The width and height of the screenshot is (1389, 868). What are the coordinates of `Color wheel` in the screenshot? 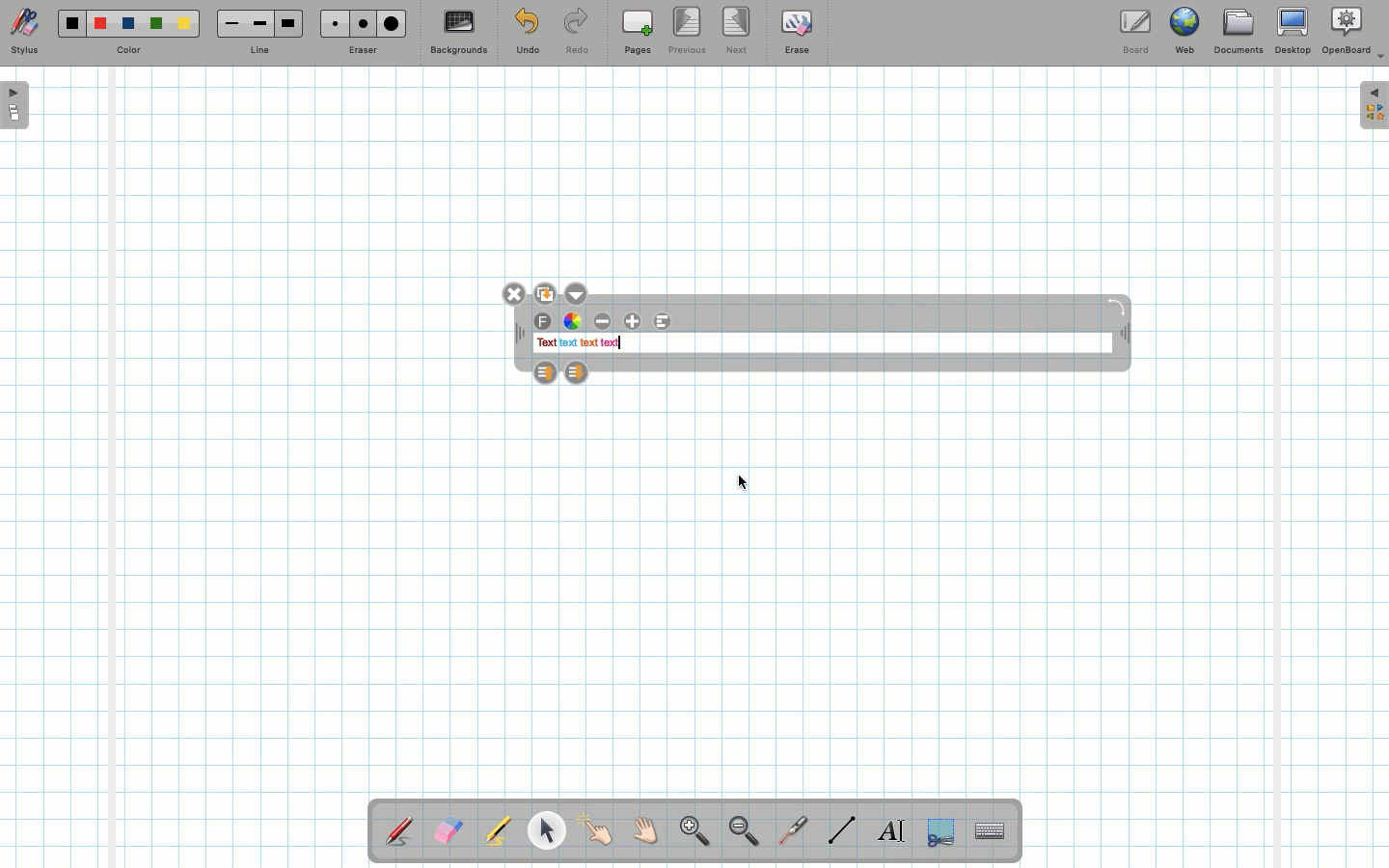 It's located at (572, 321).